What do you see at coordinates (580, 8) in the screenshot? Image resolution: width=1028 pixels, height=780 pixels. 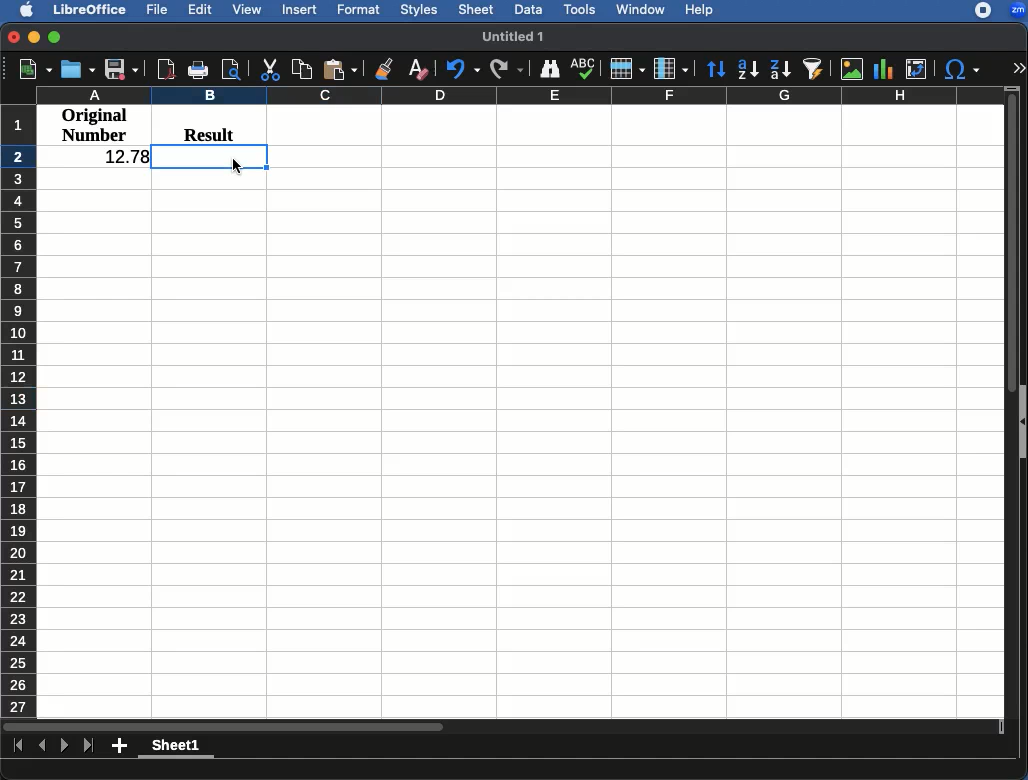 I see `Tools` at bounding box center [580, 8].